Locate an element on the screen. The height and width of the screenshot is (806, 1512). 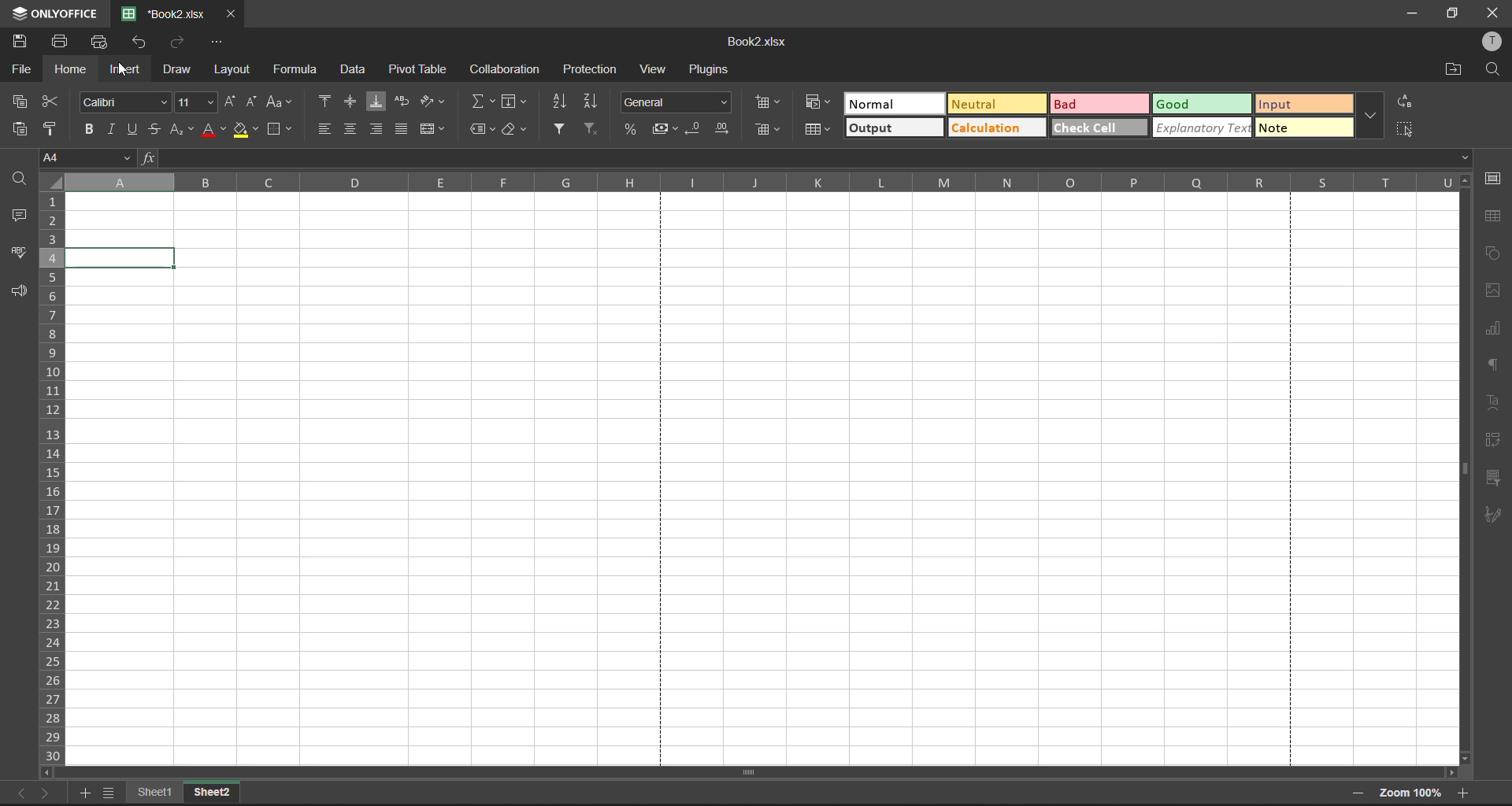
explanatory text is located at coordinates (1203, 128).